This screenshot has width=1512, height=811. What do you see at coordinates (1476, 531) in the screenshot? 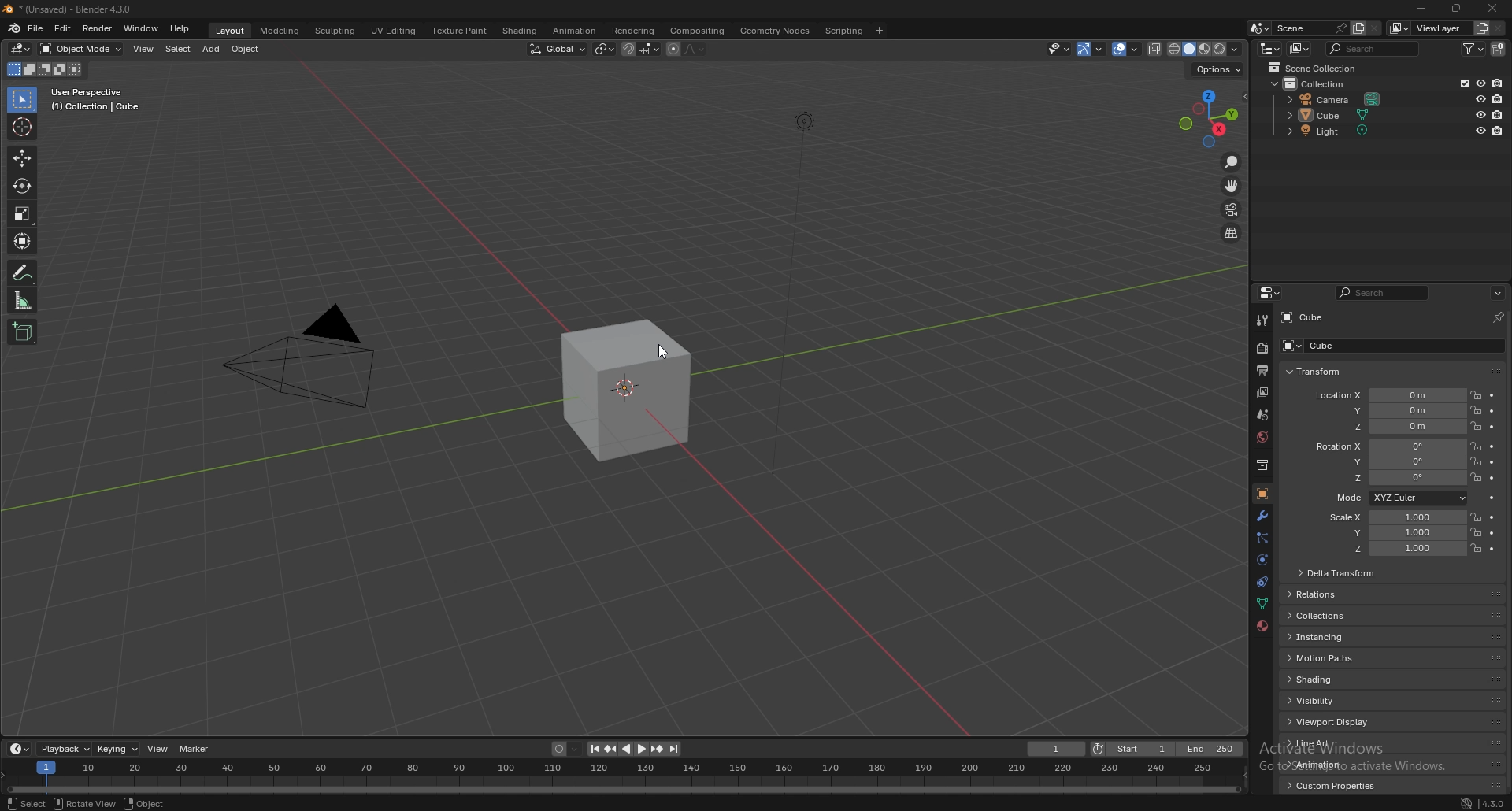
I see `lock` at bounding box center [1476, 531].